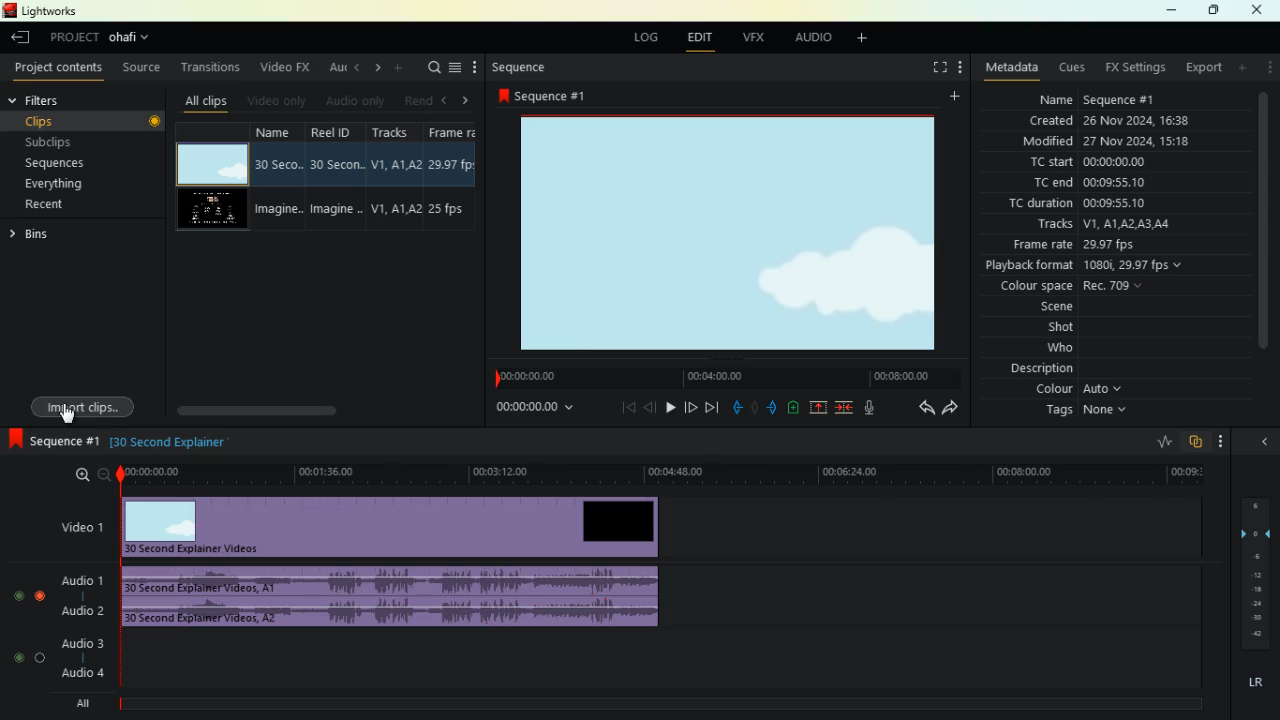 The height and width of the screenshot is (720, 1280). What do you see at coordinates (1102, 142) in the screenshot?
I see `modified` at bounding box center [1102, 142].